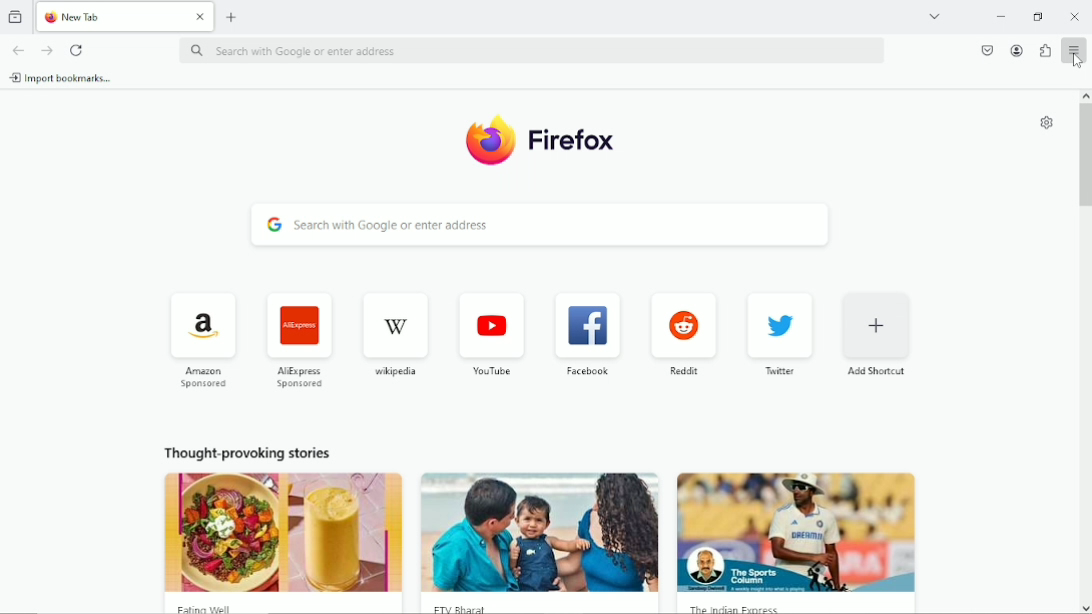 The image size is (1092, 614). I want to click on go forward, so click(46, 50).